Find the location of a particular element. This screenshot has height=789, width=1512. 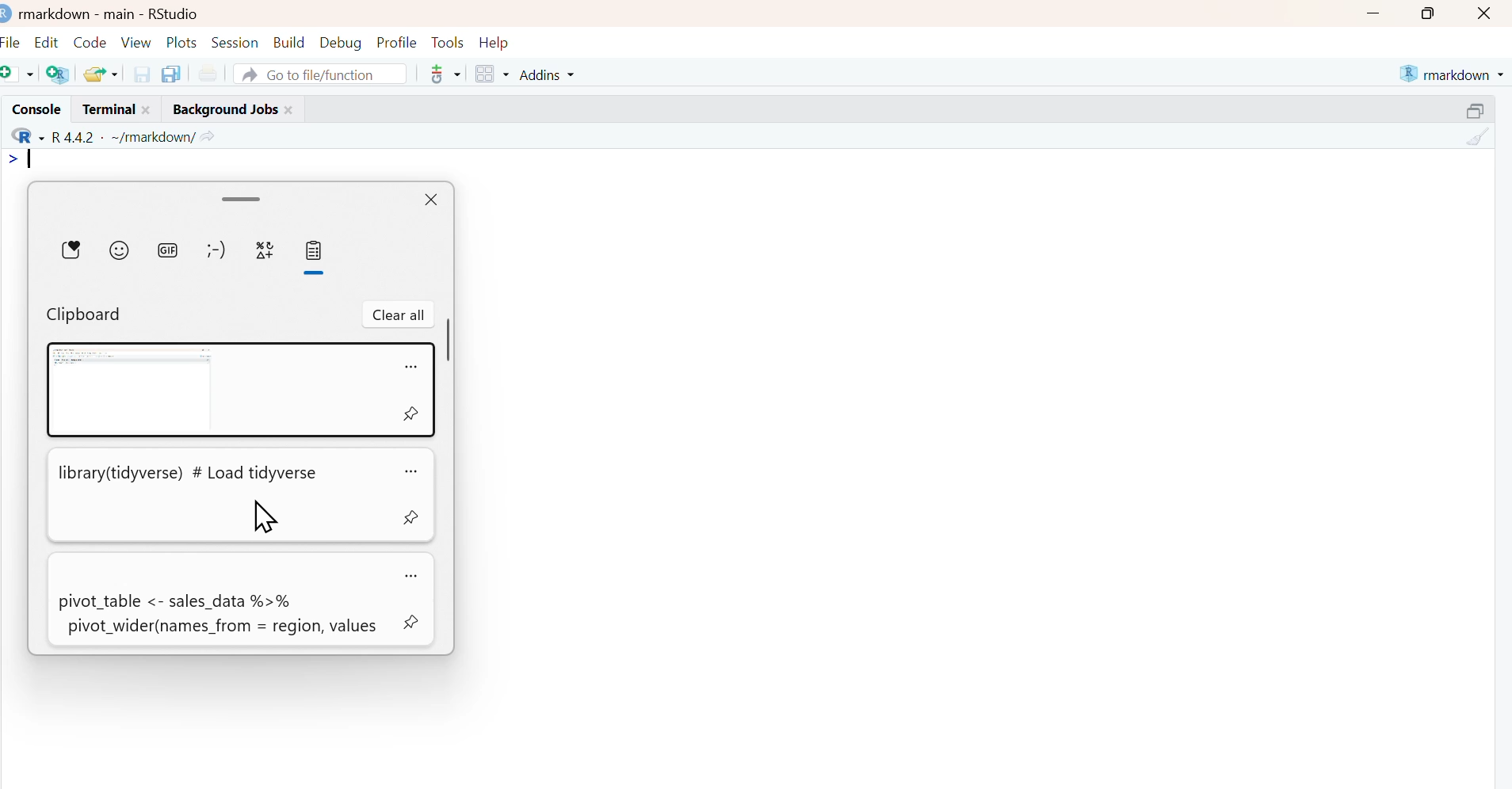

clear console is located at coordinates (1479, 137).